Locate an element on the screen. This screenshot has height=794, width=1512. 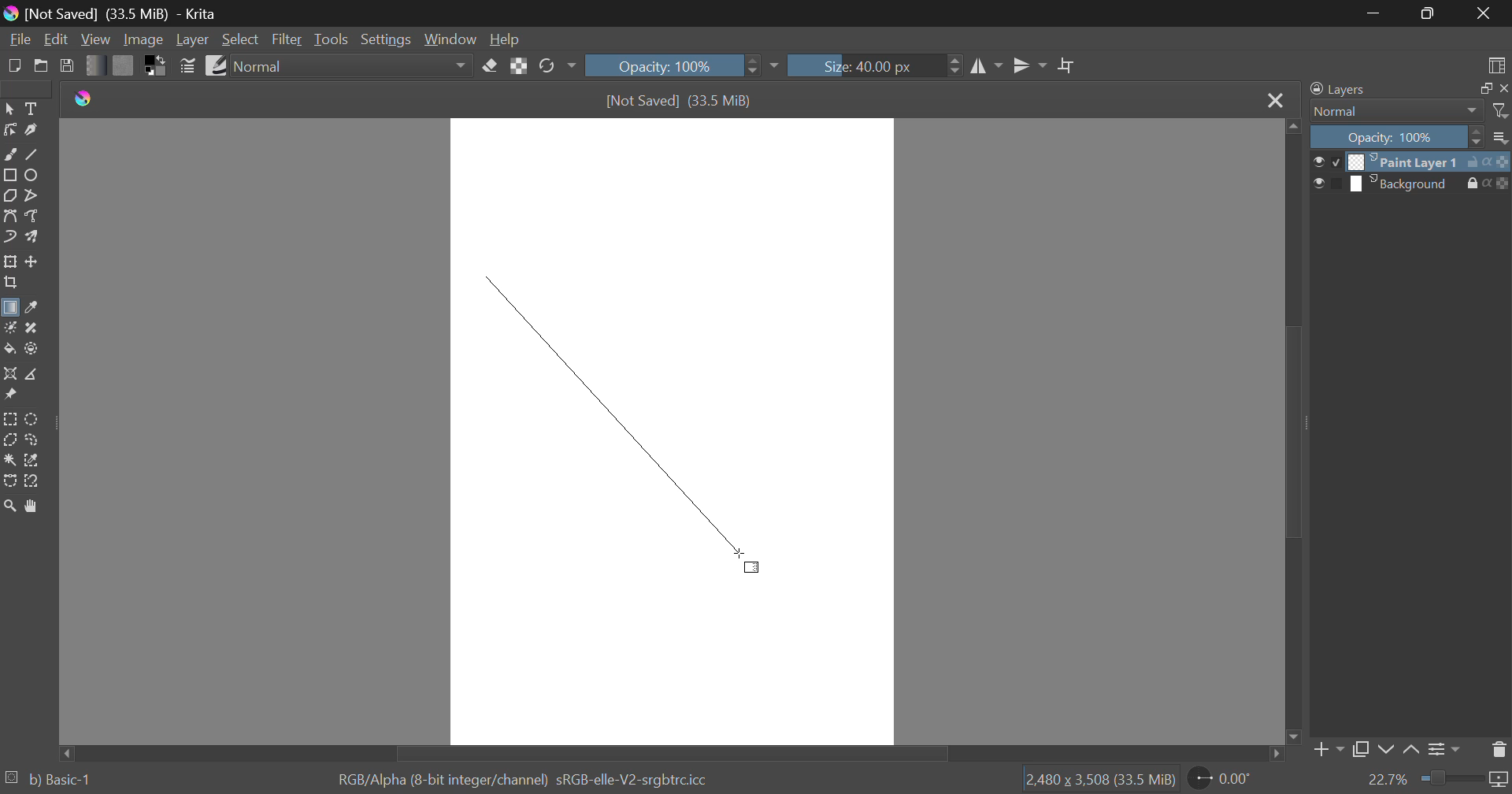
Move Layer is located at coordinates (32, 262).